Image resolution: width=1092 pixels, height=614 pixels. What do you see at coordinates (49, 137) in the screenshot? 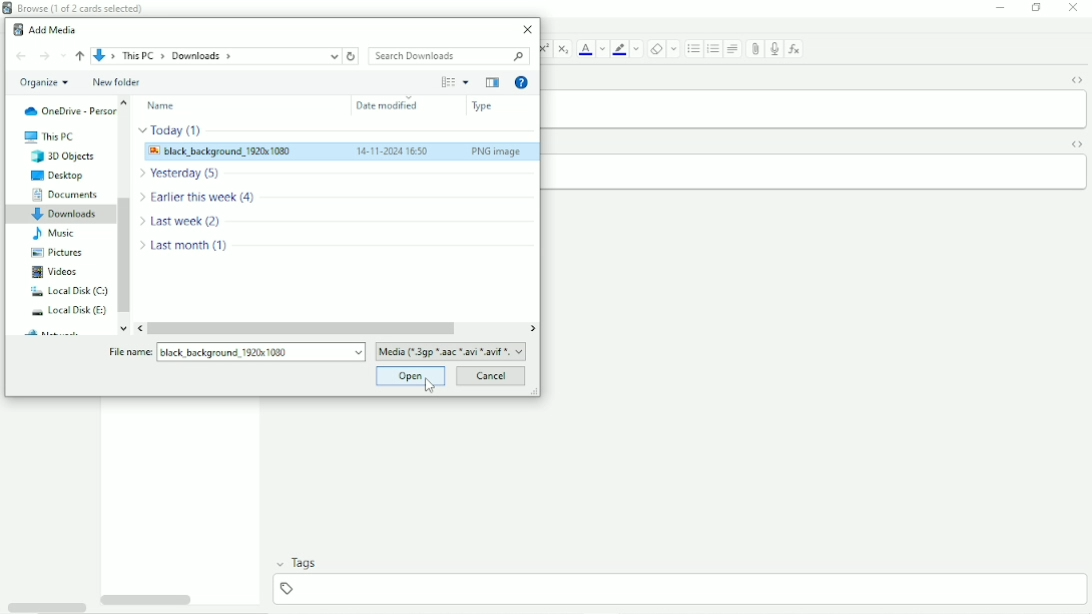
I see `This PC` at bounding box center [49, 137].